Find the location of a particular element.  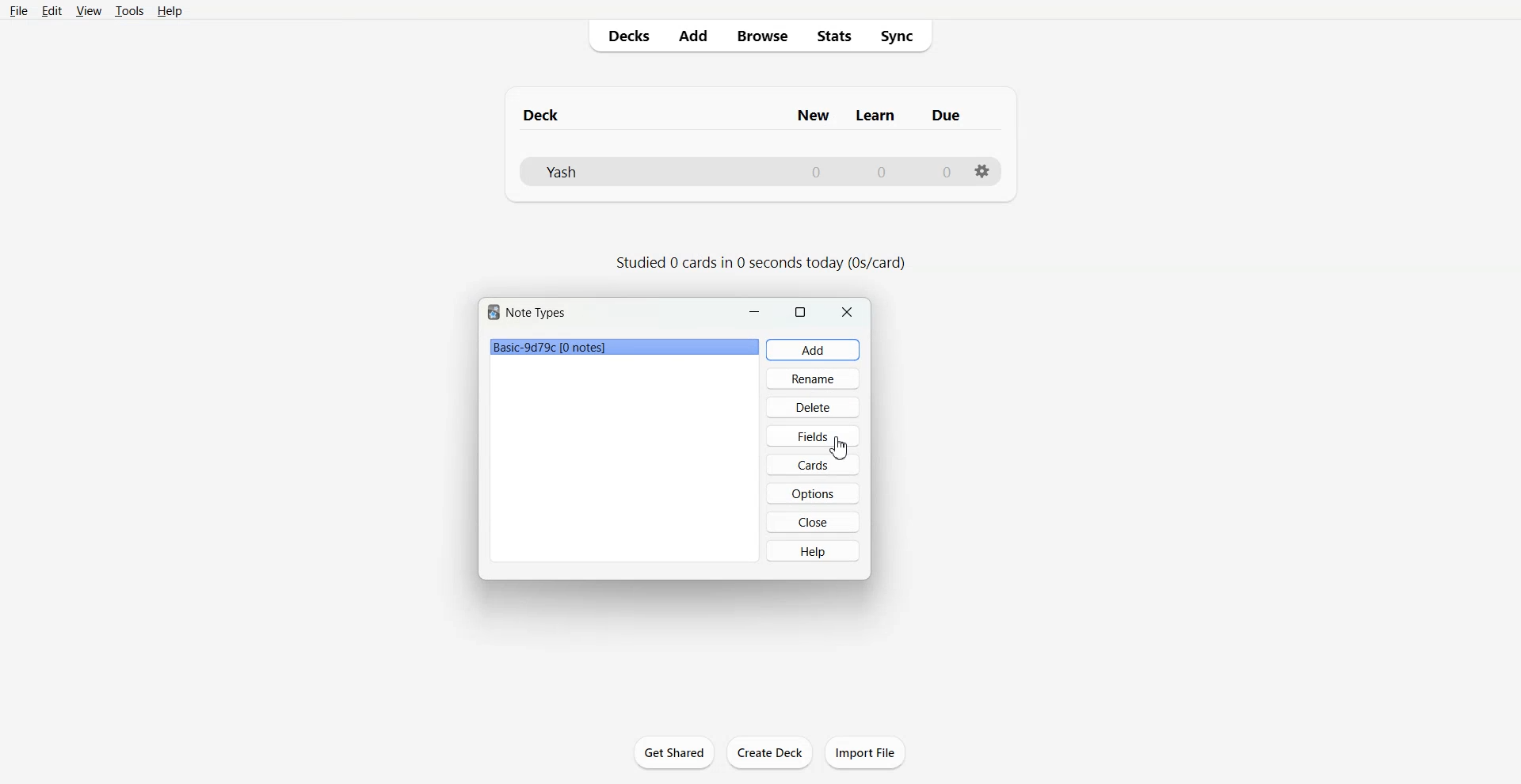

Text is located at coordinates (536, 313).